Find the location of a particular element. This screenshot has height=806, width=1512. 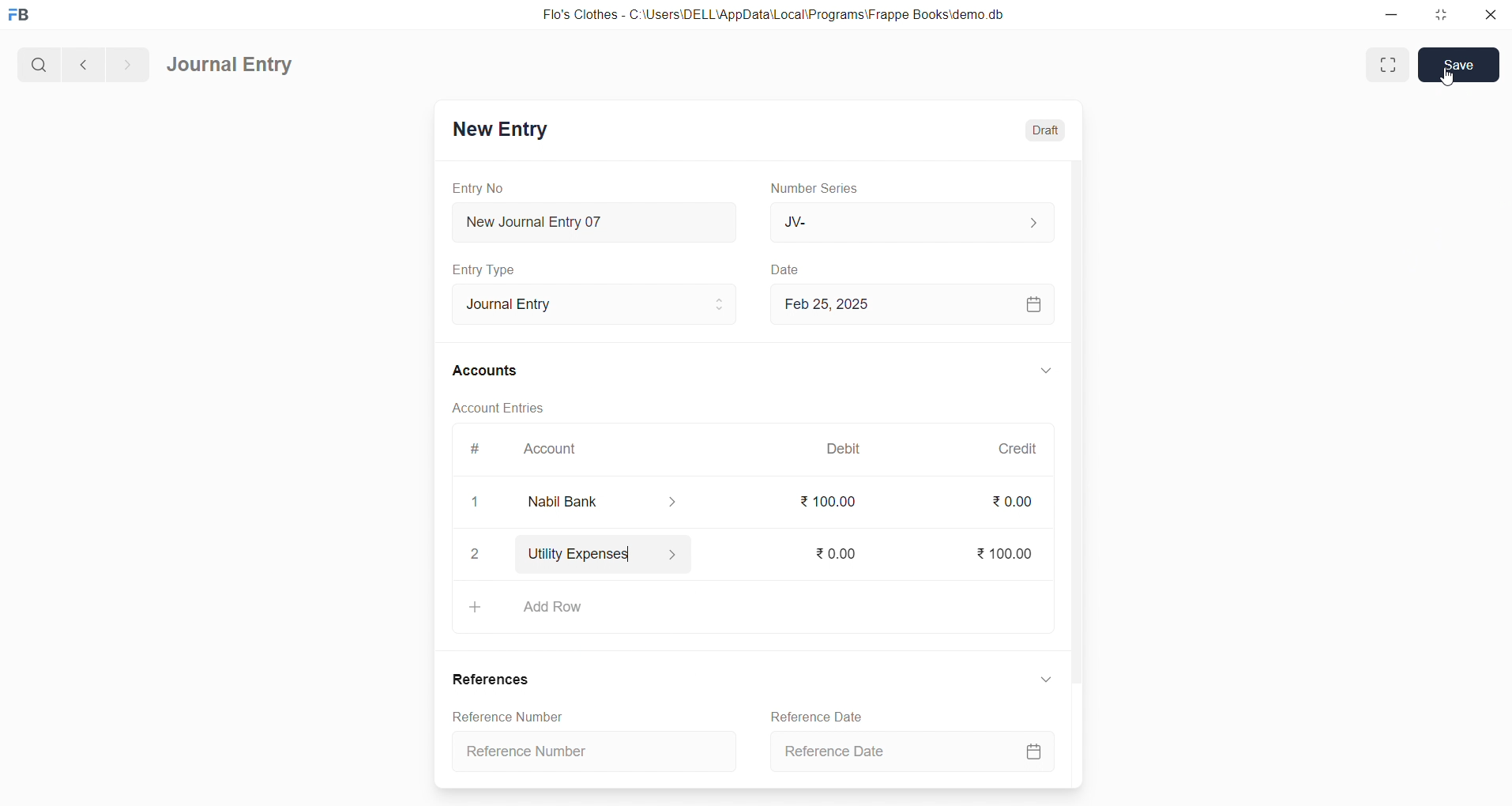

navigate forward is located at coordinates (127, 62).